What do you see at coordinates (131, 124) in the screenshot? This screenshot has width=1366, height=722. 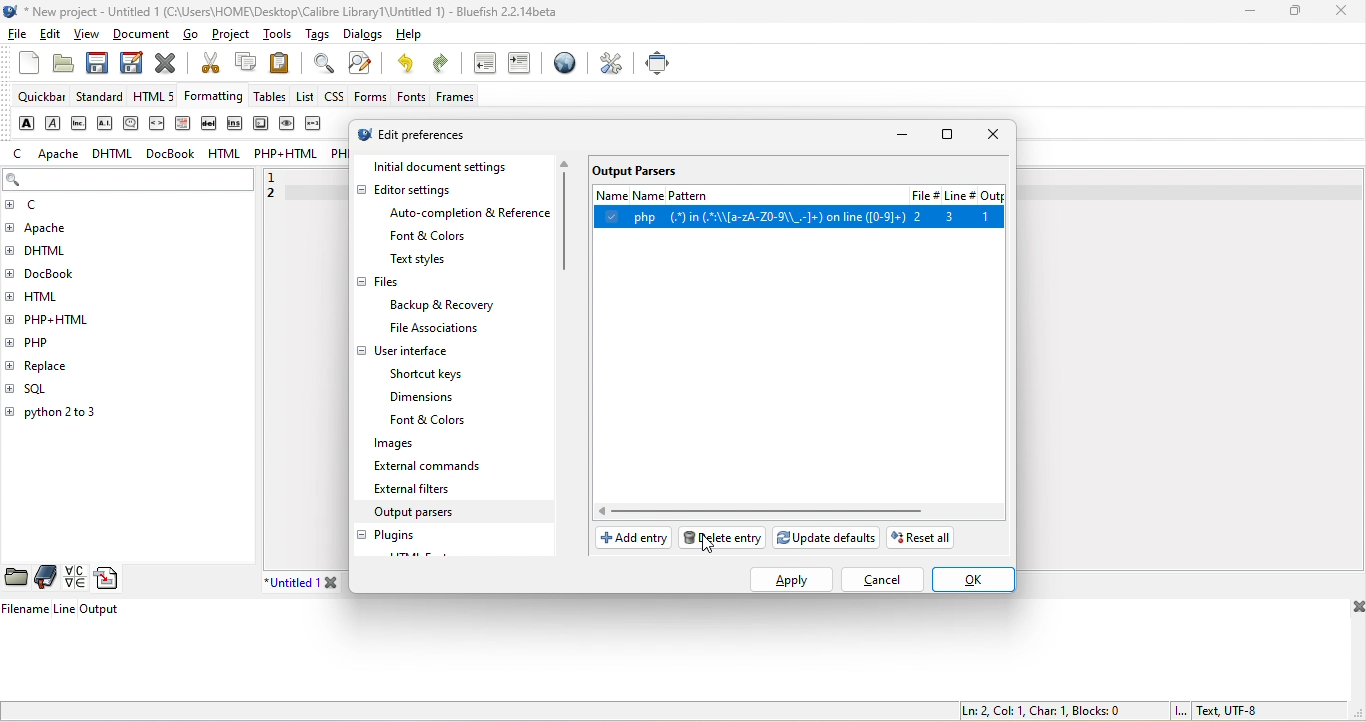 I see `citation` at bounding box center [131, 124].